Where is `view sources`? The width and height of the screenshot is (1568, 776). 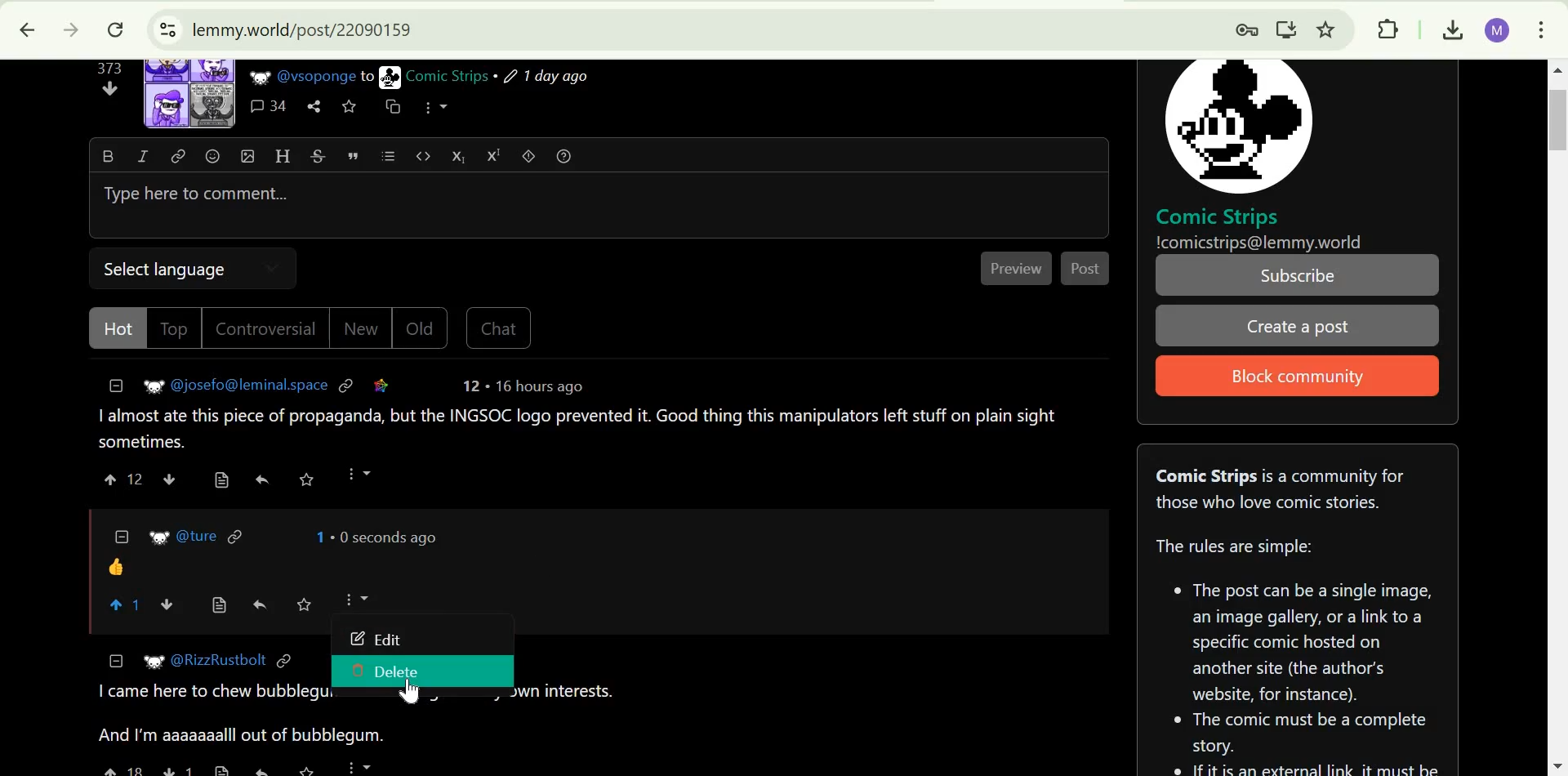
view sources is located at coordinates (220, 606).